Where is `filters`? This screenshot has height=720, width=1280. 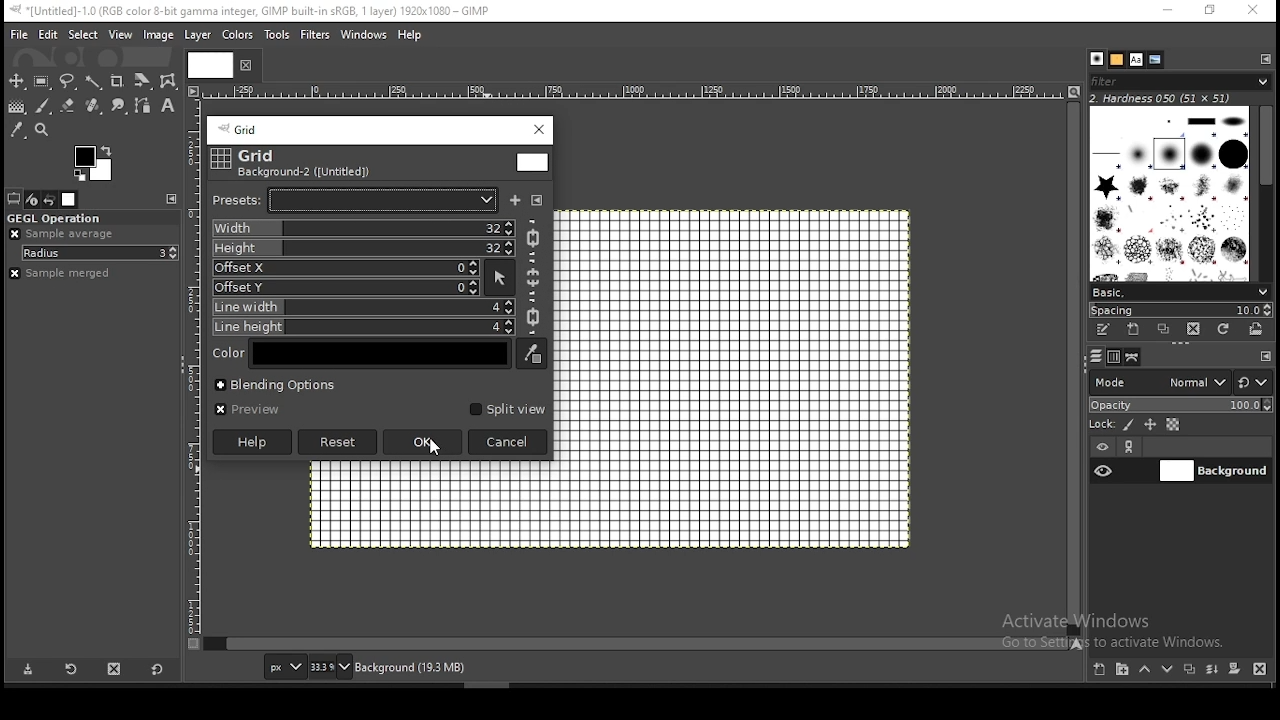 filters is located at coordinates (316, 36).